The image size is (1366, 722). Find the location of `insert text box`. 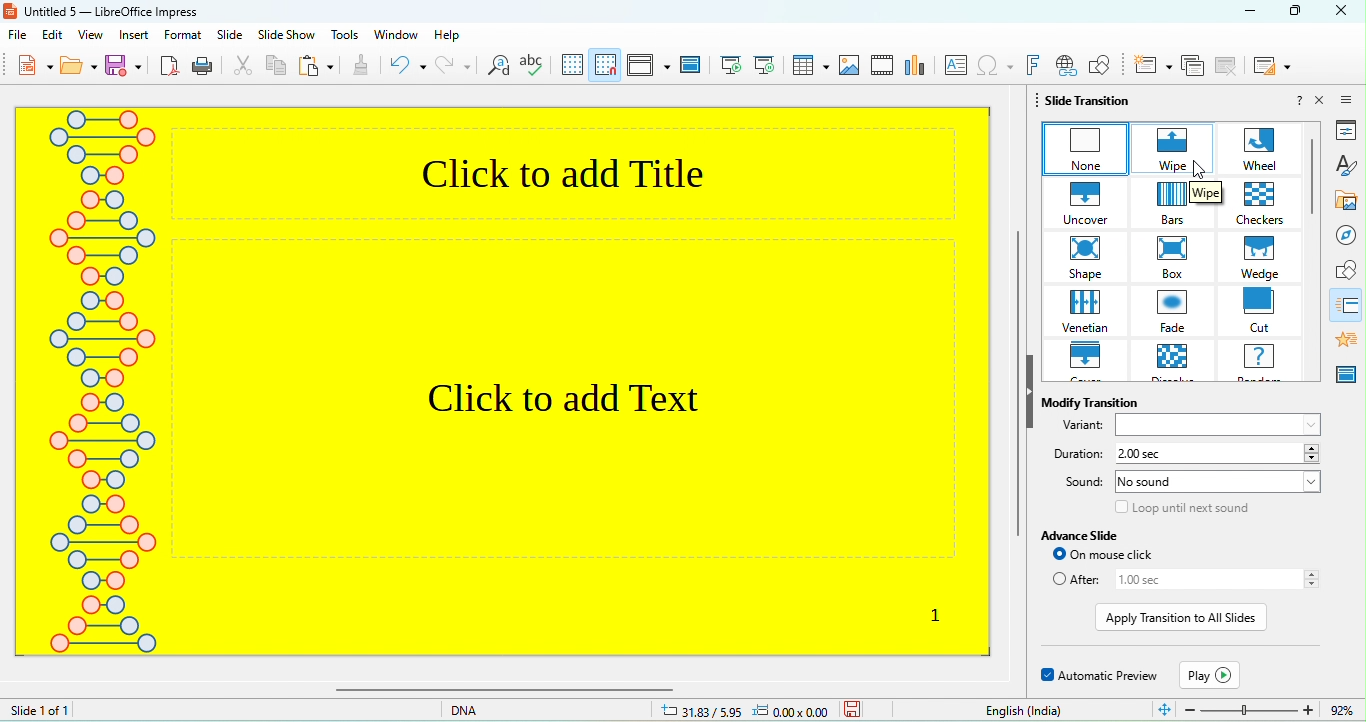

insert text box is located at coordinates (954, 67).